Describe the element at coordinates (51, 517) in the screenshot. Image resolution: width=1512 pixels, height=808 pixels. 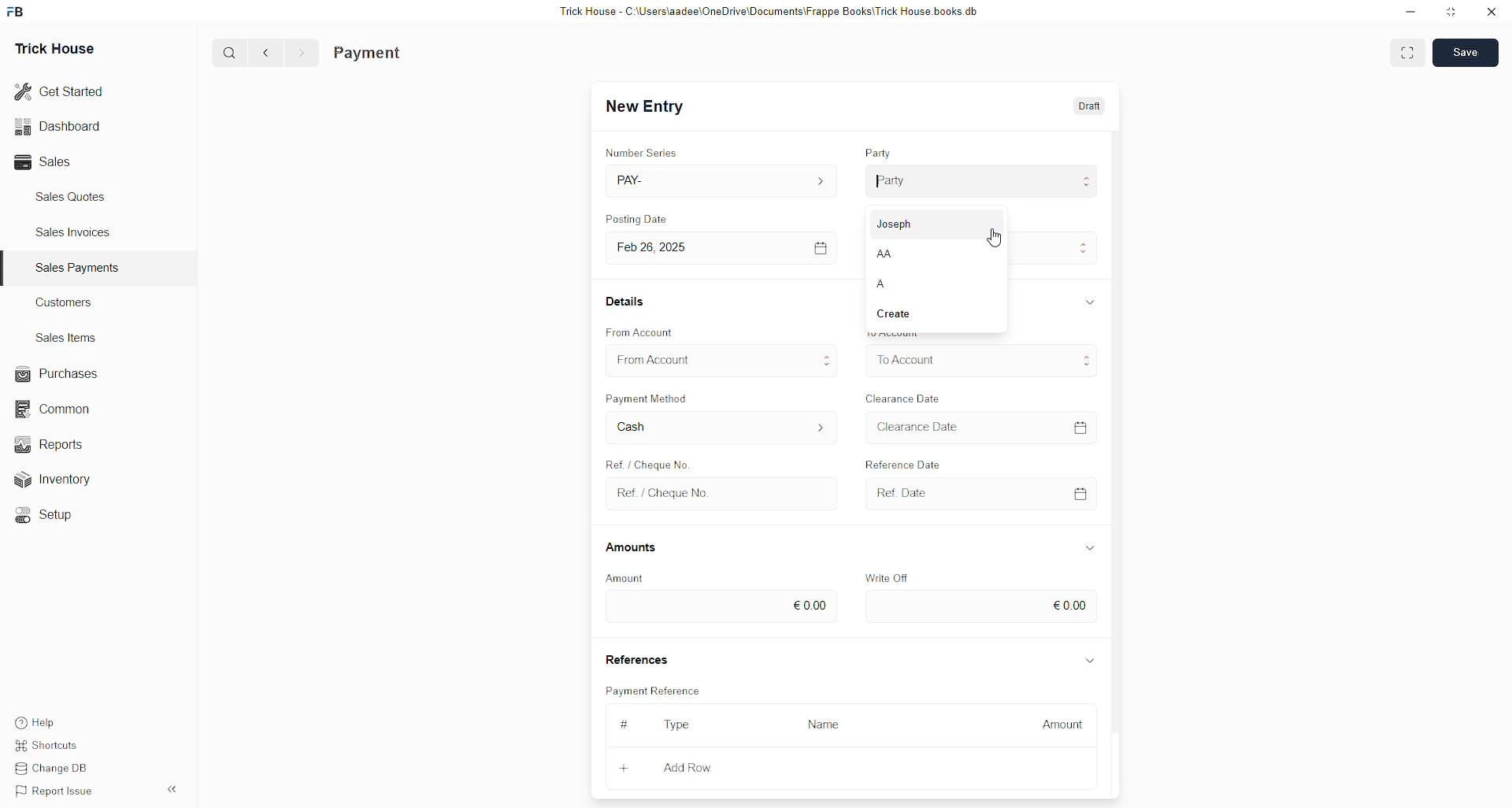
I see `Setup` at that location.